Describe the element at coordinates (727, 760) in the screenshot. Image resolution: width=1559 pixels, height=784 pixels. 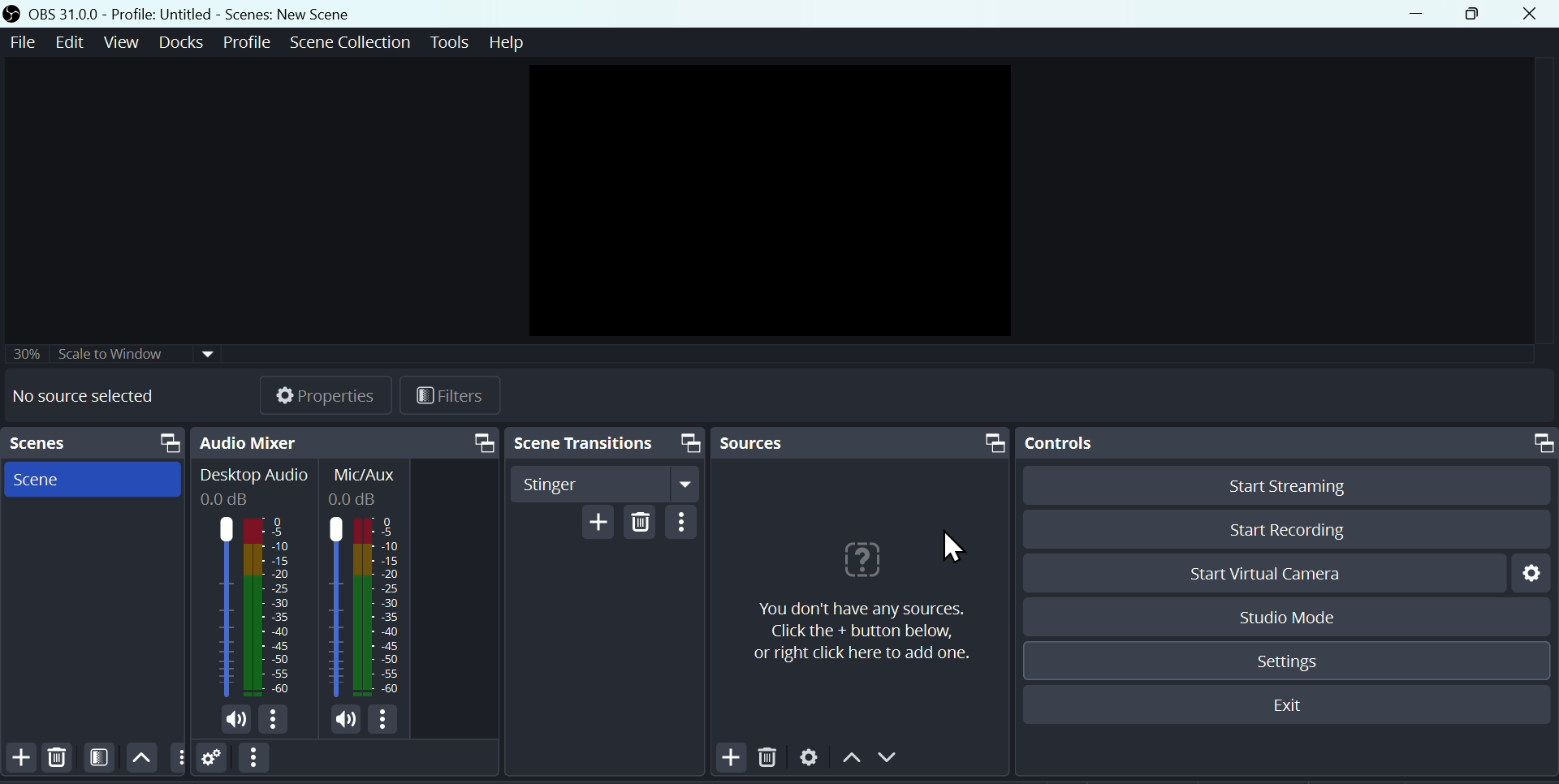
I see `Add` at that location.